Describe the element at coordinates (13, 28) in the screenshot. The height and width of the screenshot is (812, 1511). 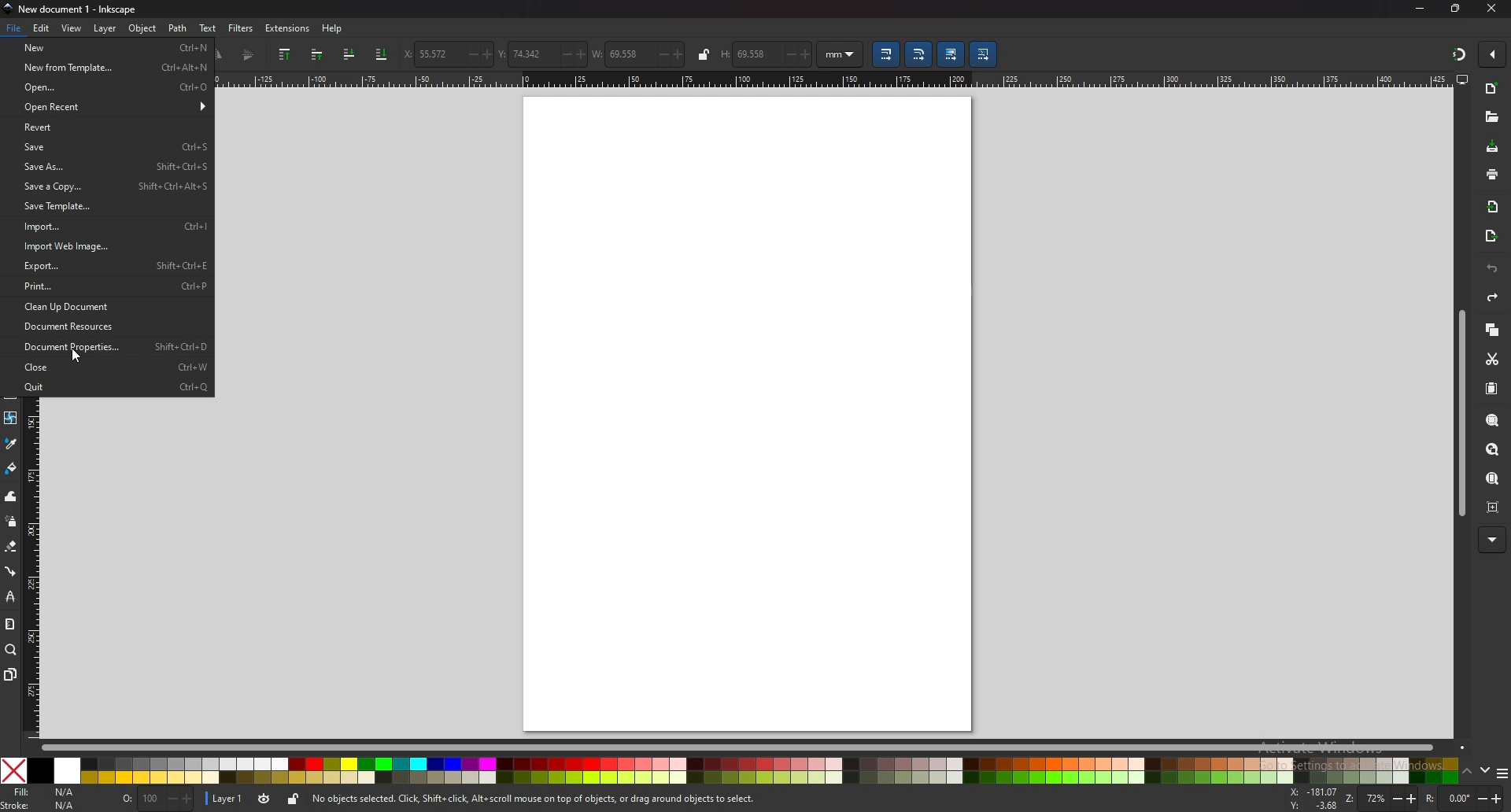
I see `File` at that location.